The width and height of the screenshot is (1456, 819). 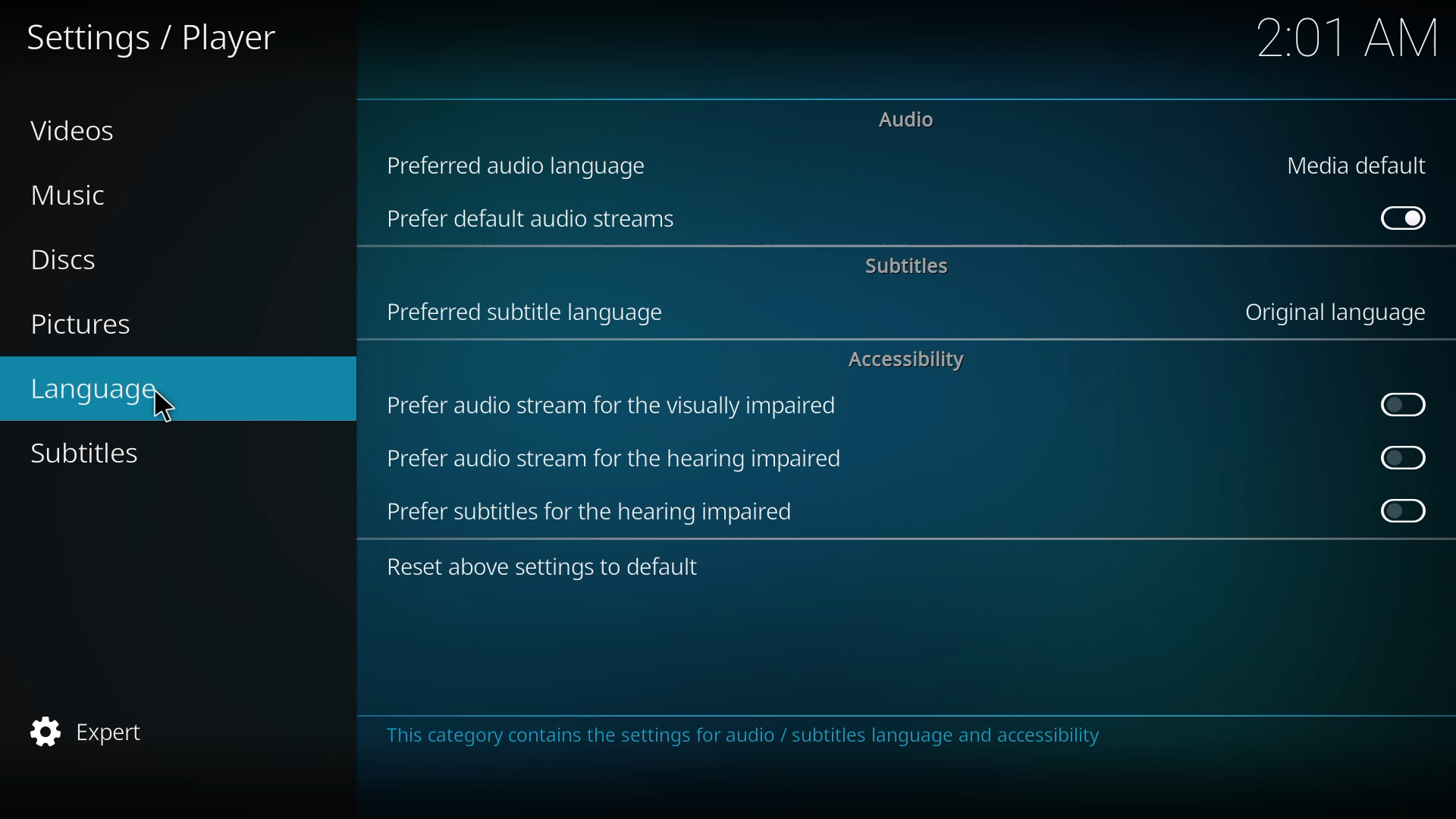 What do you see at coordinates (1395, 403) in the screenshot?
I see `click to enable` at bounding box center [1395, 403].